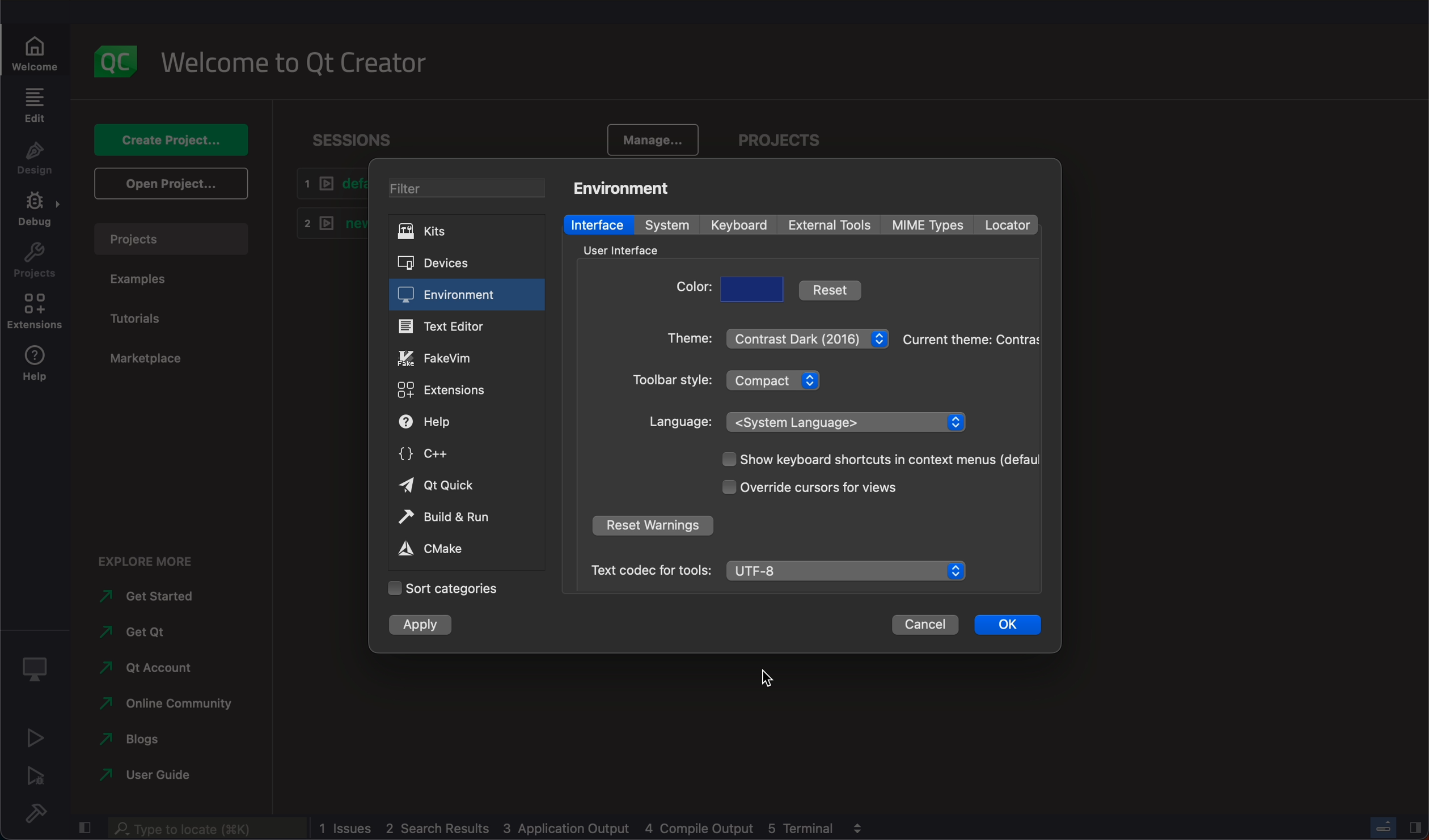  What do you see at coordinates (1384, 827) in the screenshot?
I see `Progress bar` at bounding box center [1384, 827].